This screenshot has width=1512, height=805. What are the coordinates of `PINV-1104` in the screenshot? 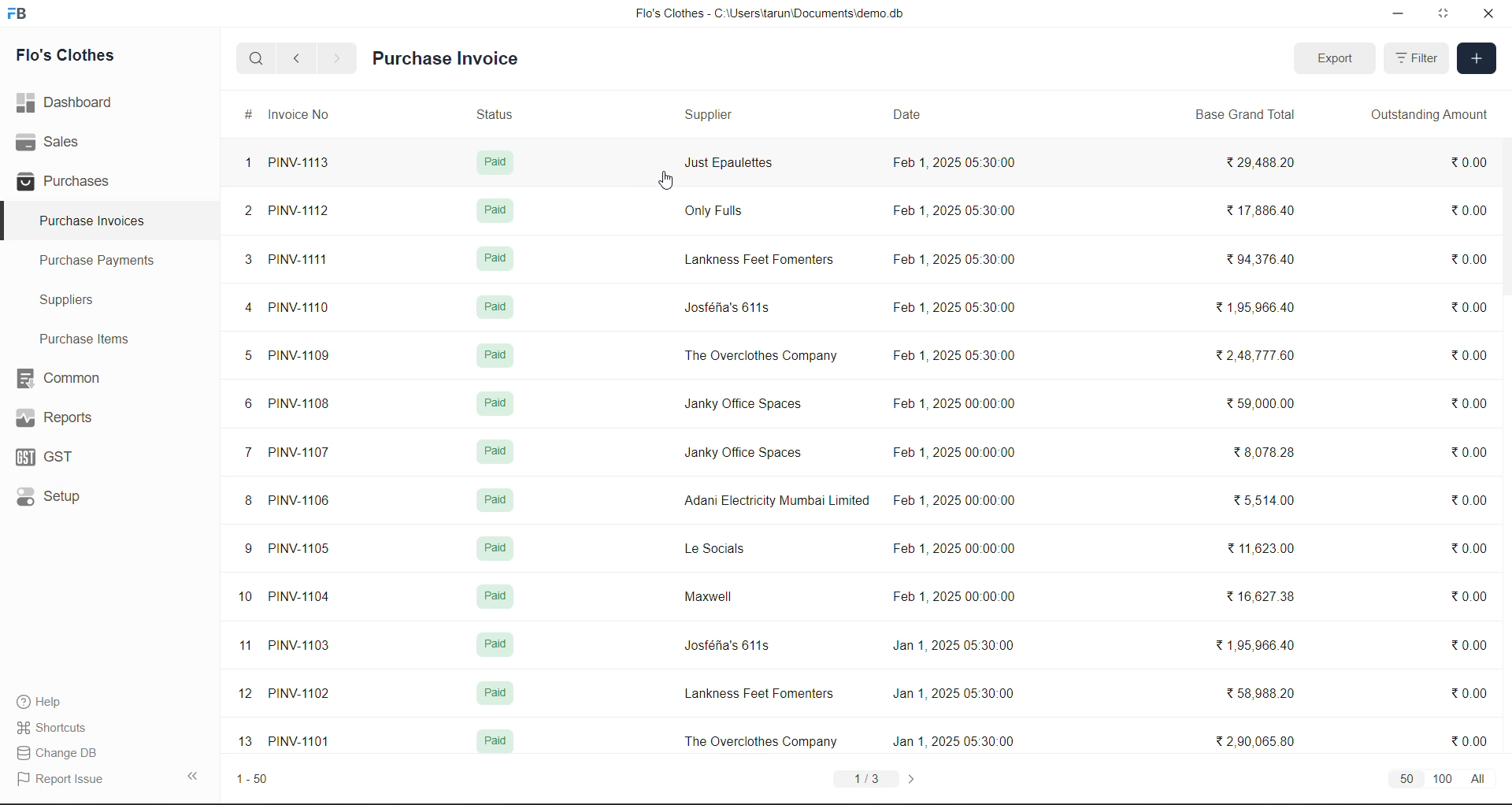 It's located at (302, 597).